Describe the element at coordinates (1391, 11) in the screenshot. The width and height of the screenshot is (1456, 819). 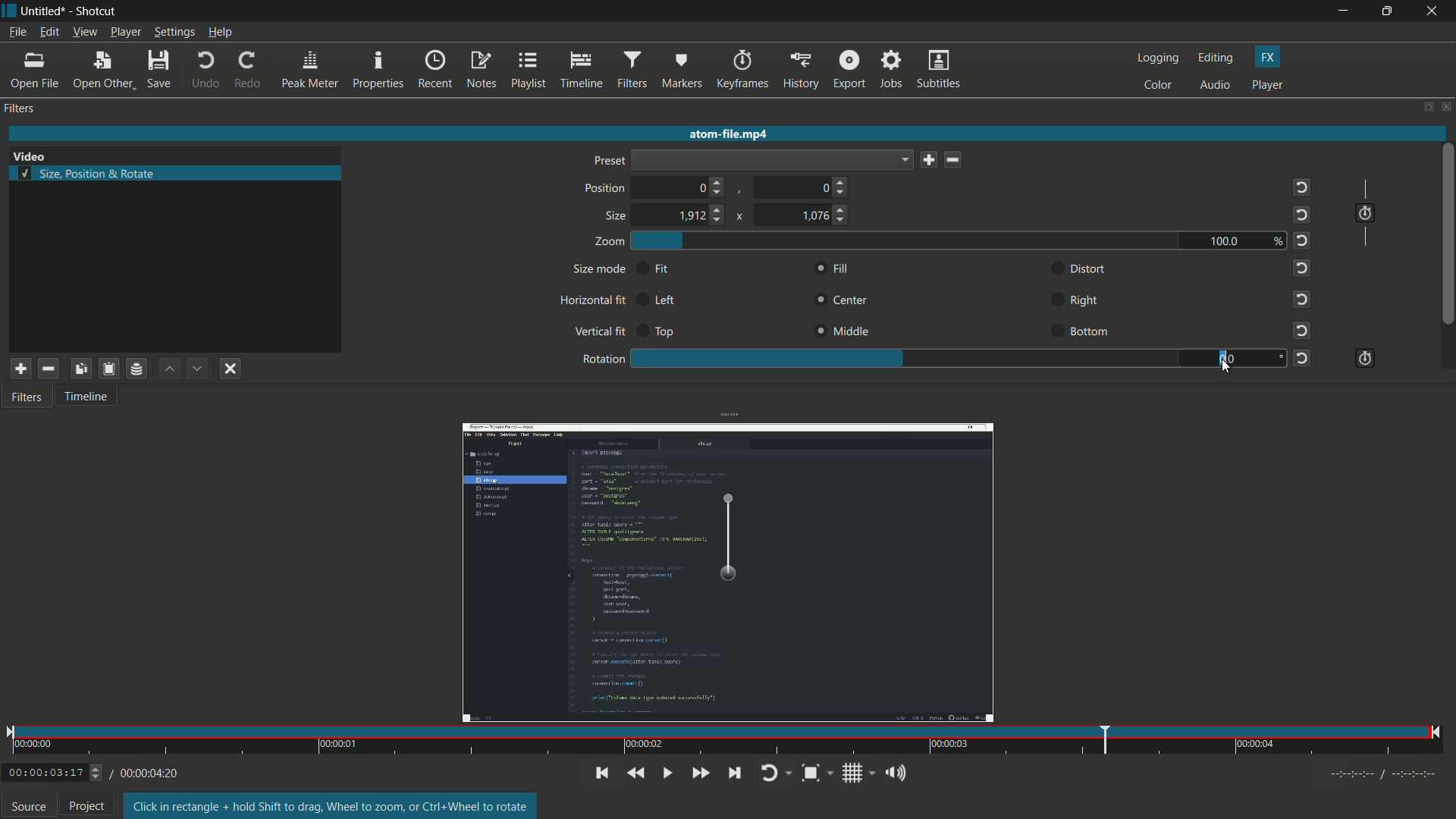
I see `maximize` at that location.